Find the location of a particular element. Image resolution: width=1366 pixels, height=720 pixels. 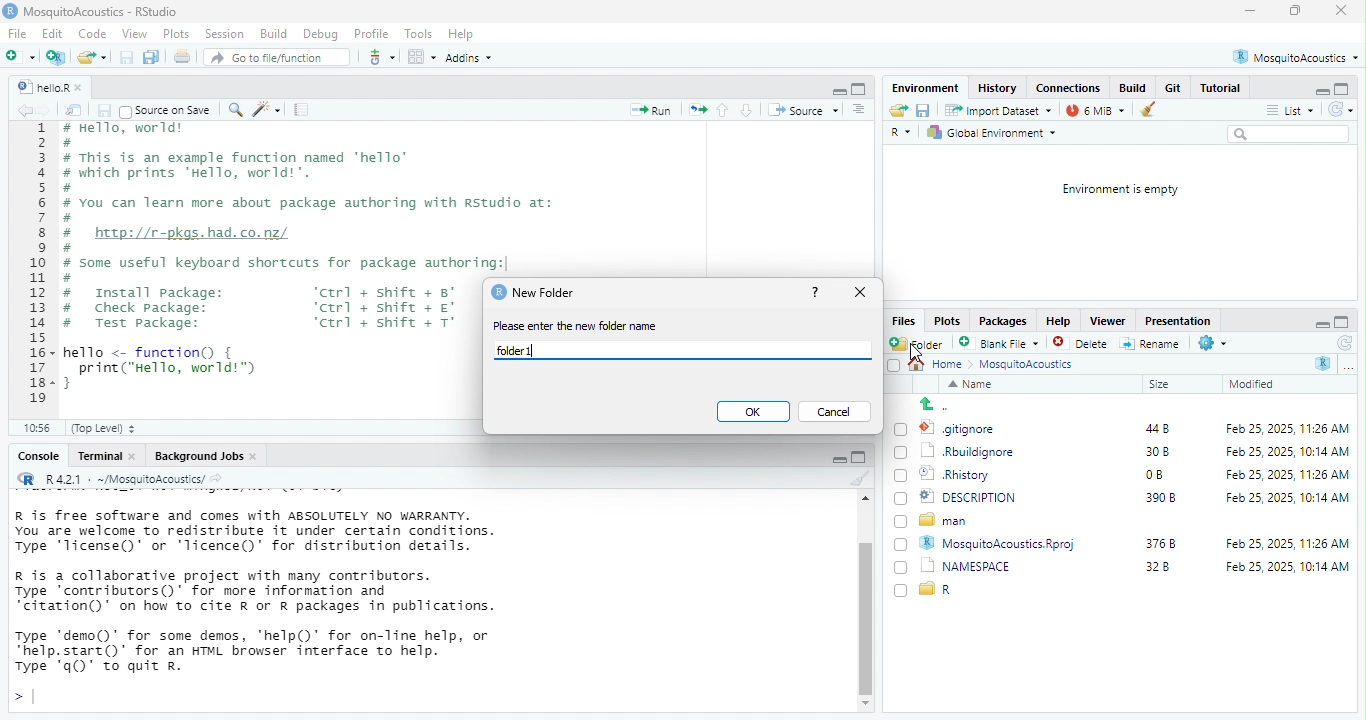

7 mb is located at coordinates (1098, 110).